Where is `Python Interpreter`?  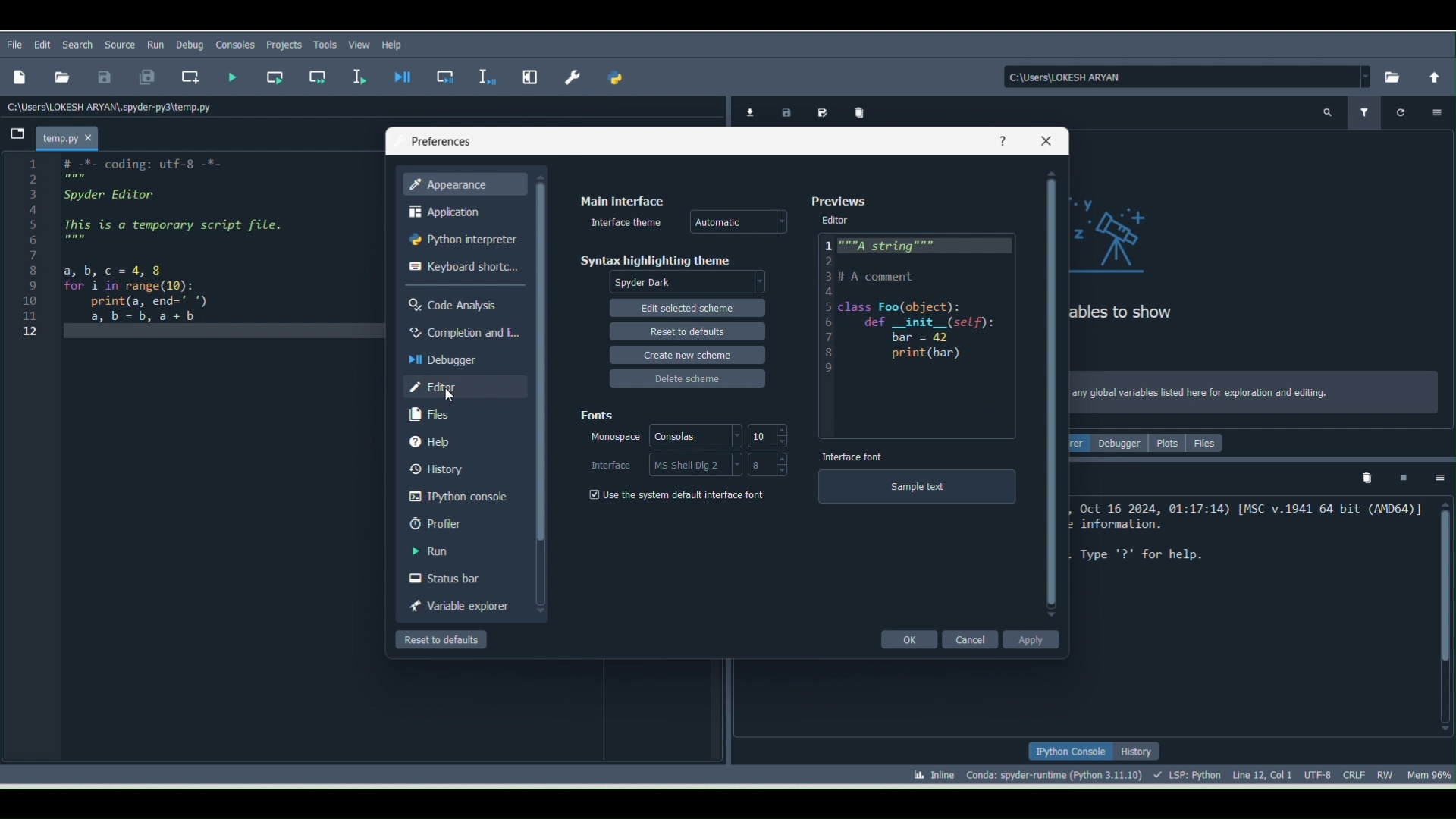
Python Interpreter is located at coordinates (461, 241).